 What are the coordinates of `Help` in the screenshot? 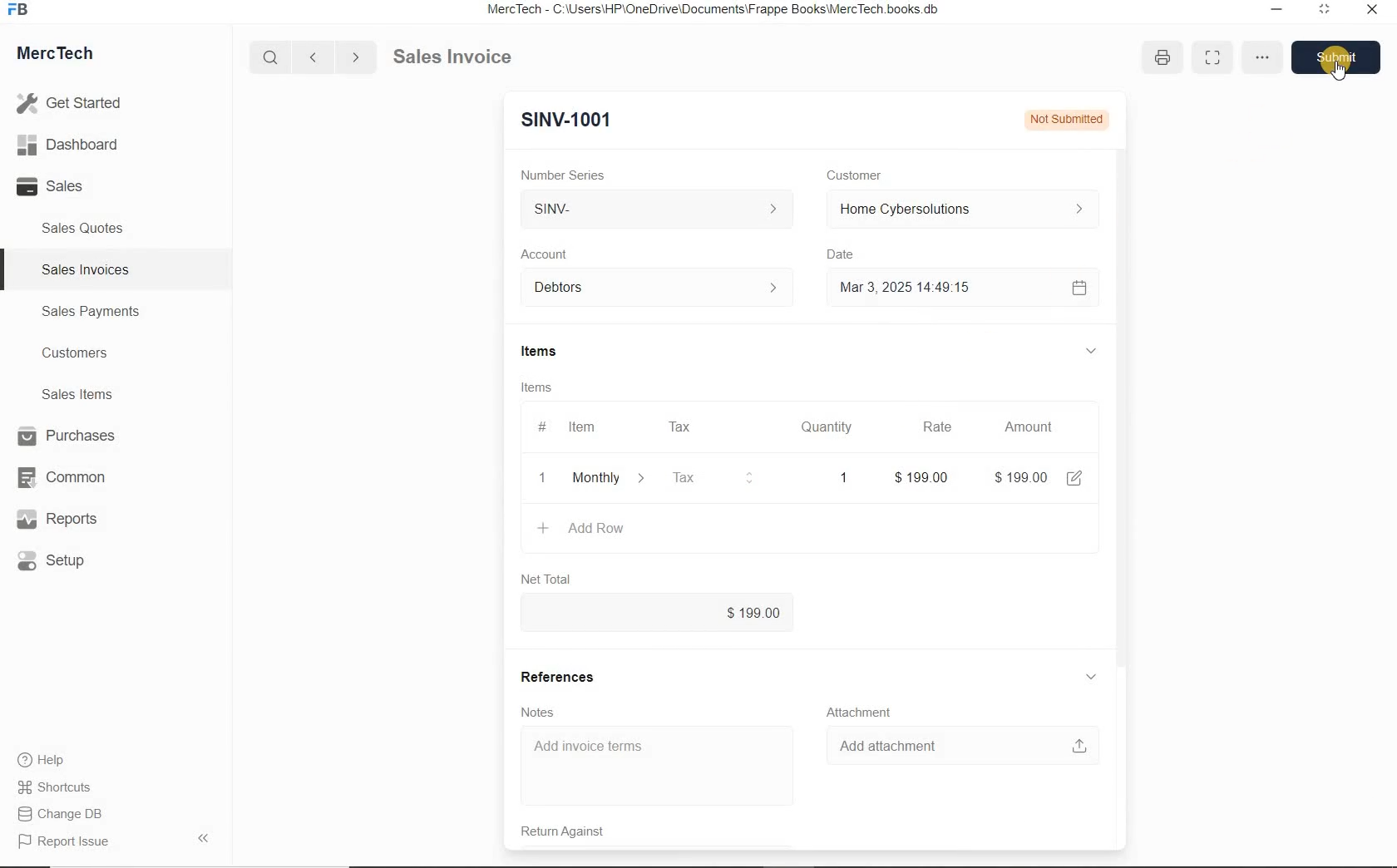 It's located at (50, 760).